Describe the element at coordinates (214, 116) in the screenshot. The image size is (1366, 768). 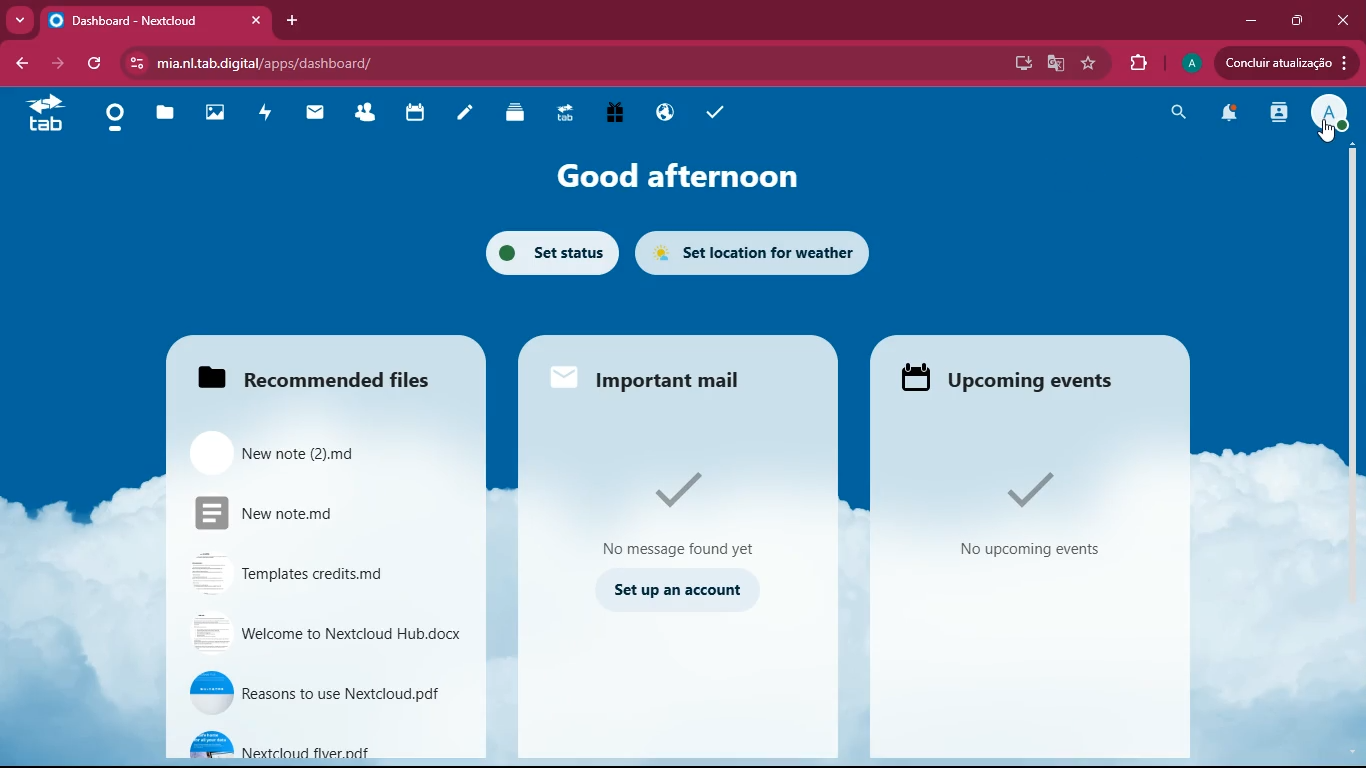
I see `images` at that location.